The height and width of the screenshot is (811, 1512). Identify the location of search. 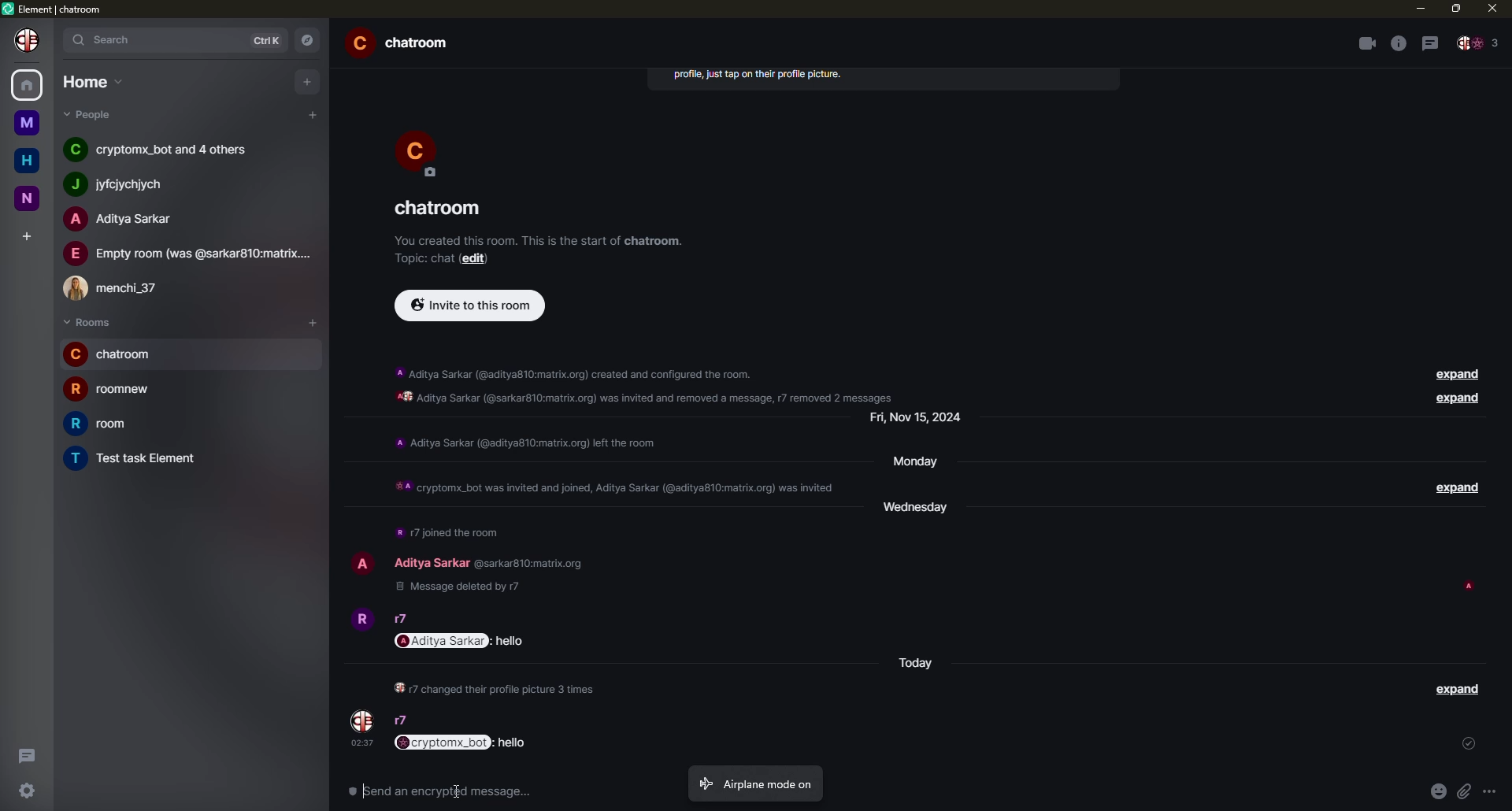
(114, 39).